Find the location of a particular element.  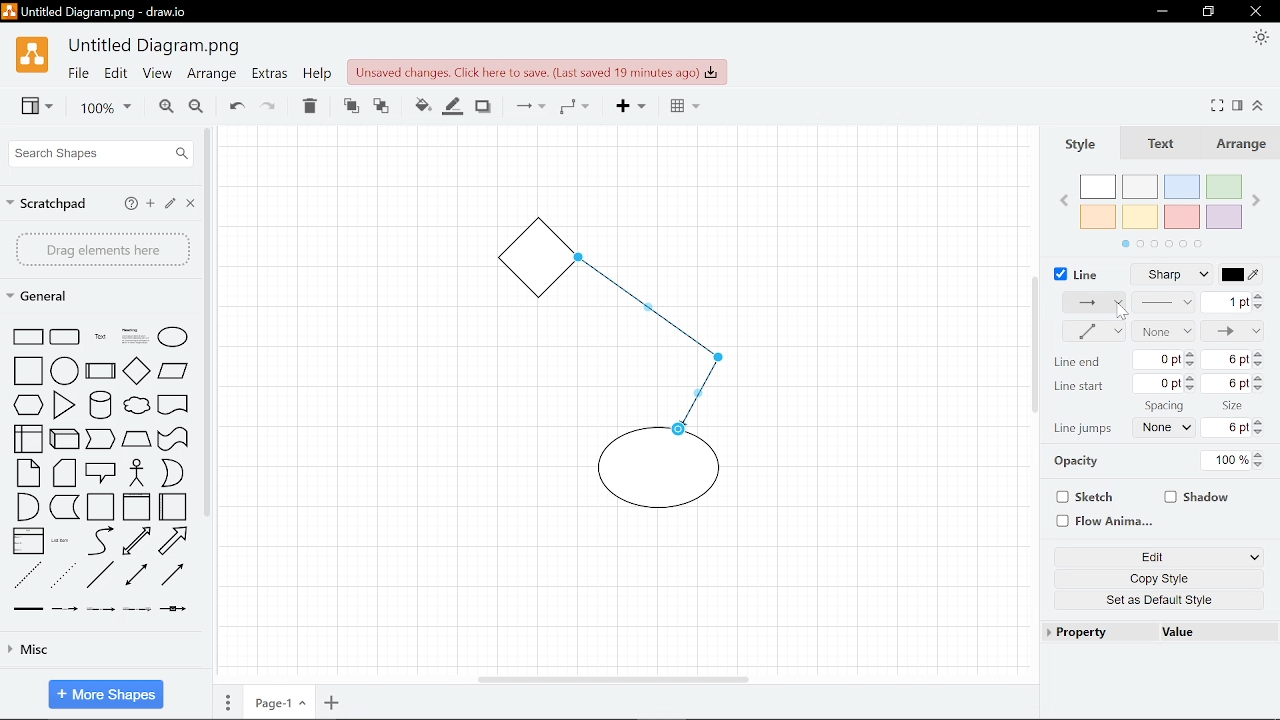

Zoom is located at coordinates (98, 108).